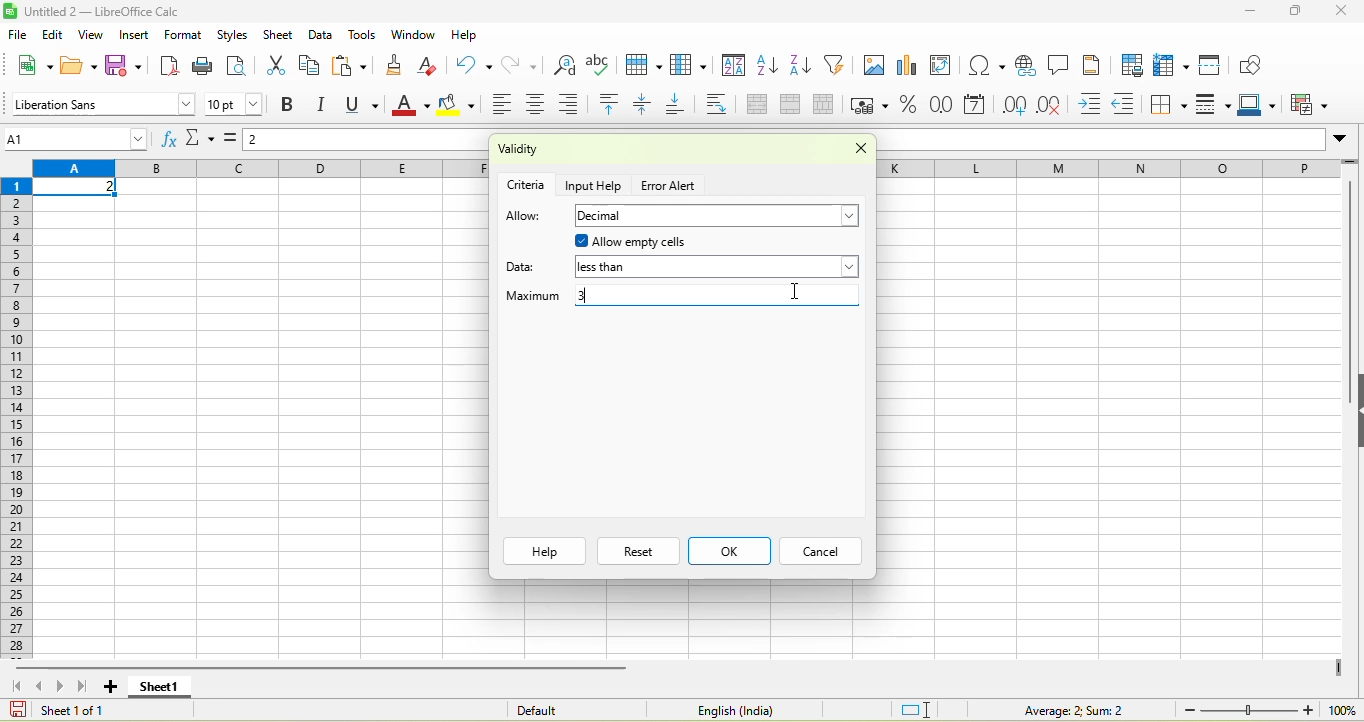 The image size is (1364, 722). What do you see at coordinates (682, 106) in the screenshot?
I see `align bottom` at bounding box center [682, 106].